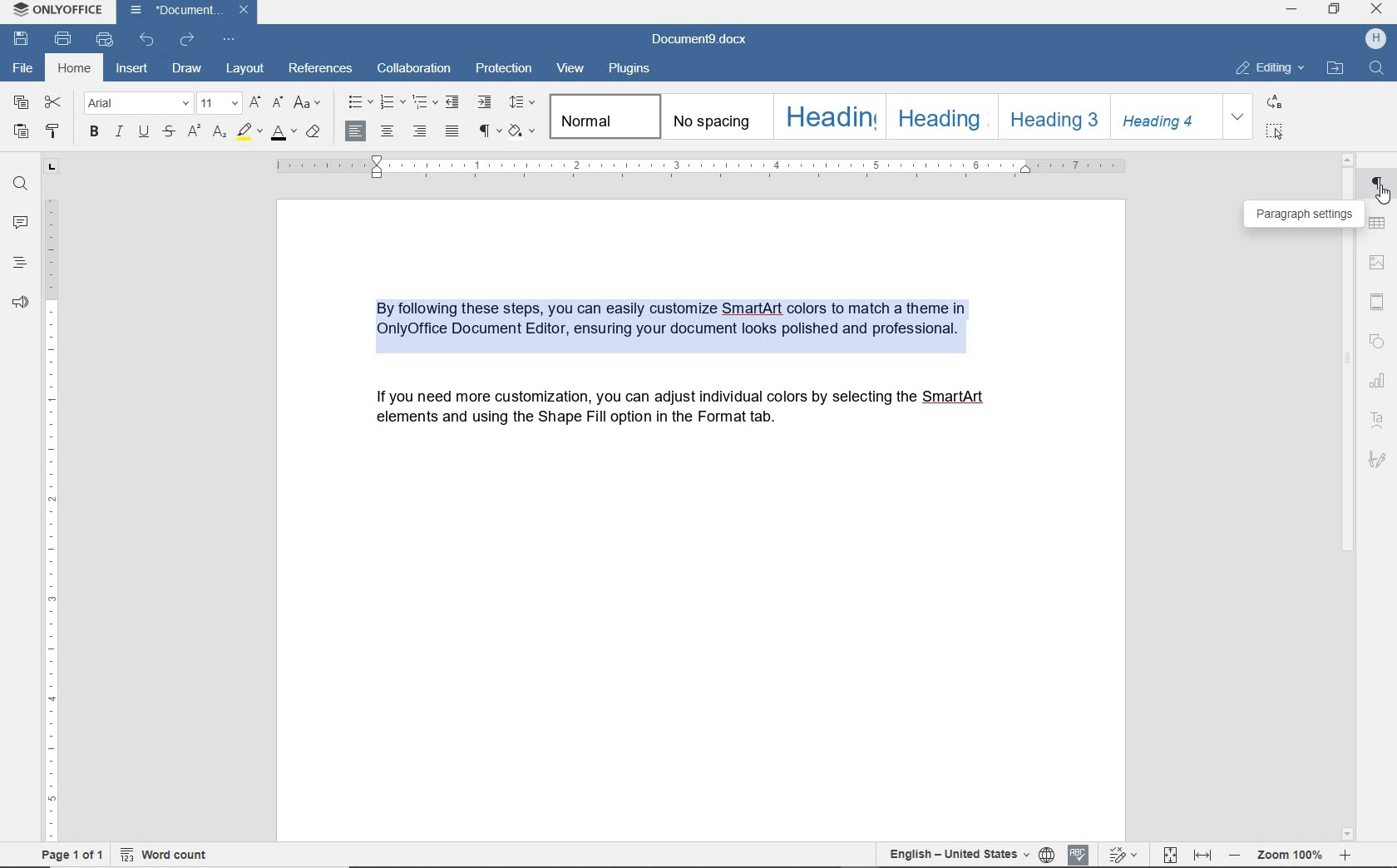  Describe the element at coordinates (937, 116) in the screenshot. I see `heading 2` at that location.